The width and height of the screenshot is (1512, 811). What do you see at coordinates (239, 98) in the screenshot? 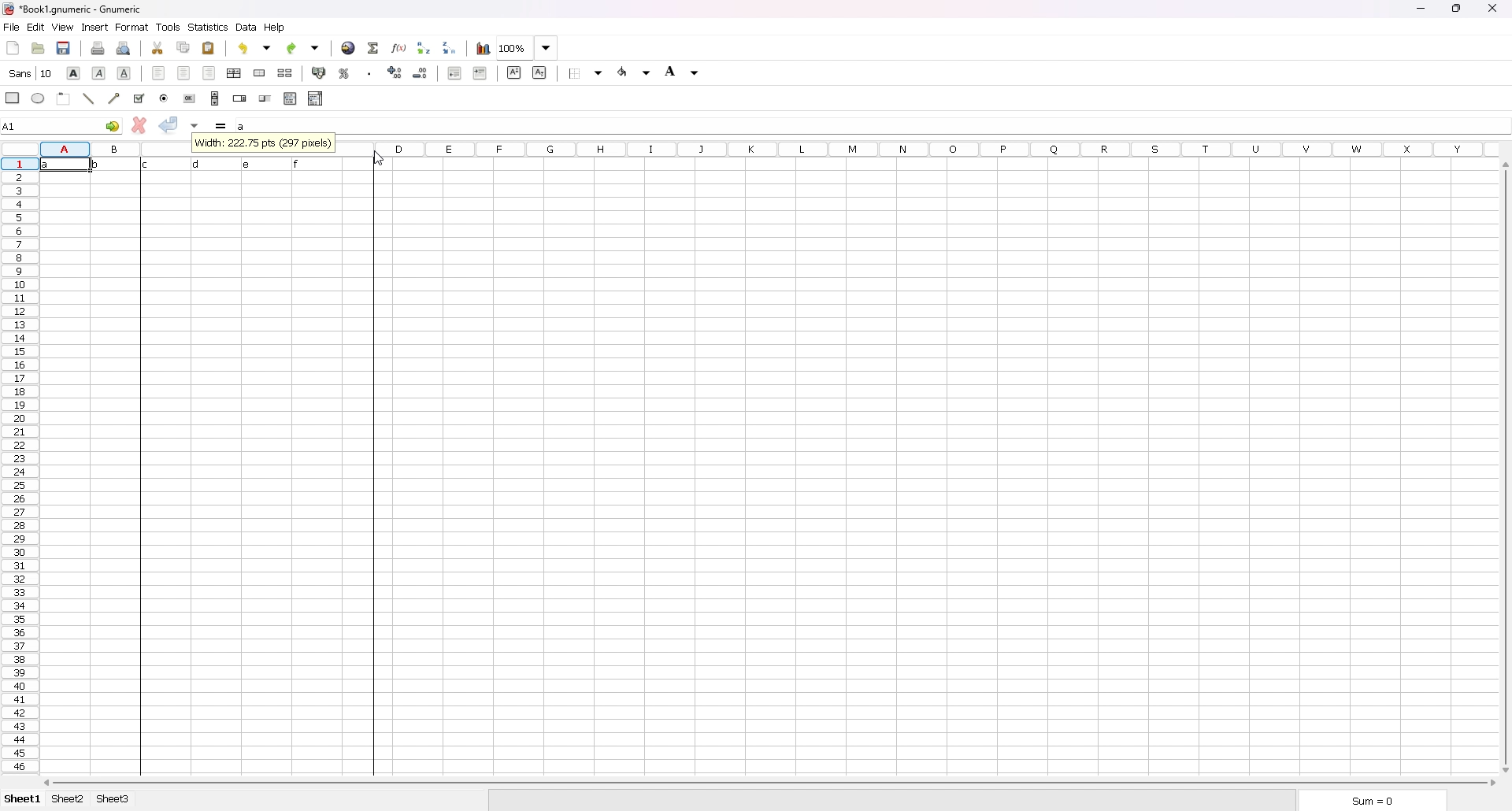
I see `spin button` at bounding box center [239, 98].